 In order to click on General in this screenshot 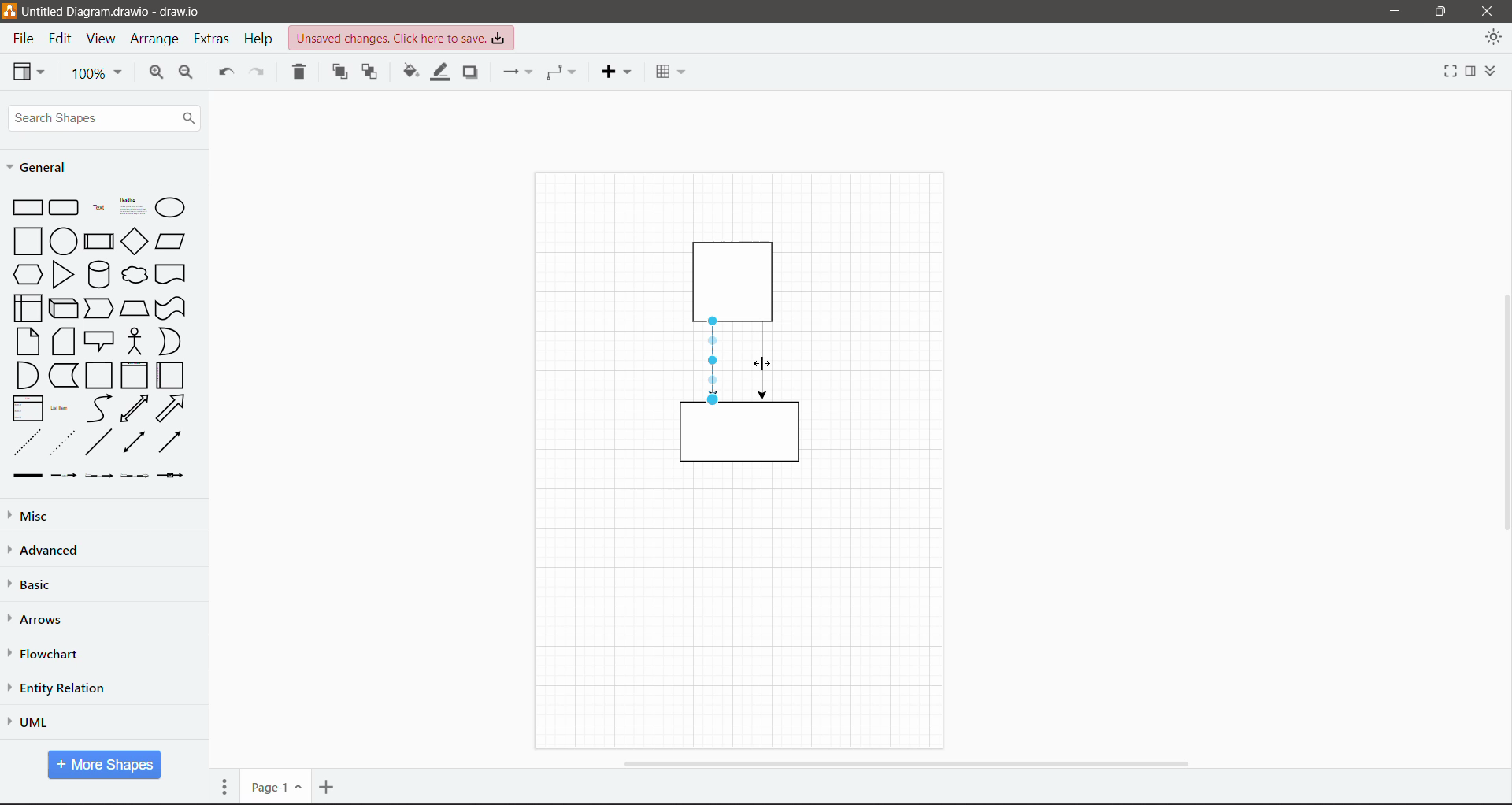, I will do `click(43, 167)`.